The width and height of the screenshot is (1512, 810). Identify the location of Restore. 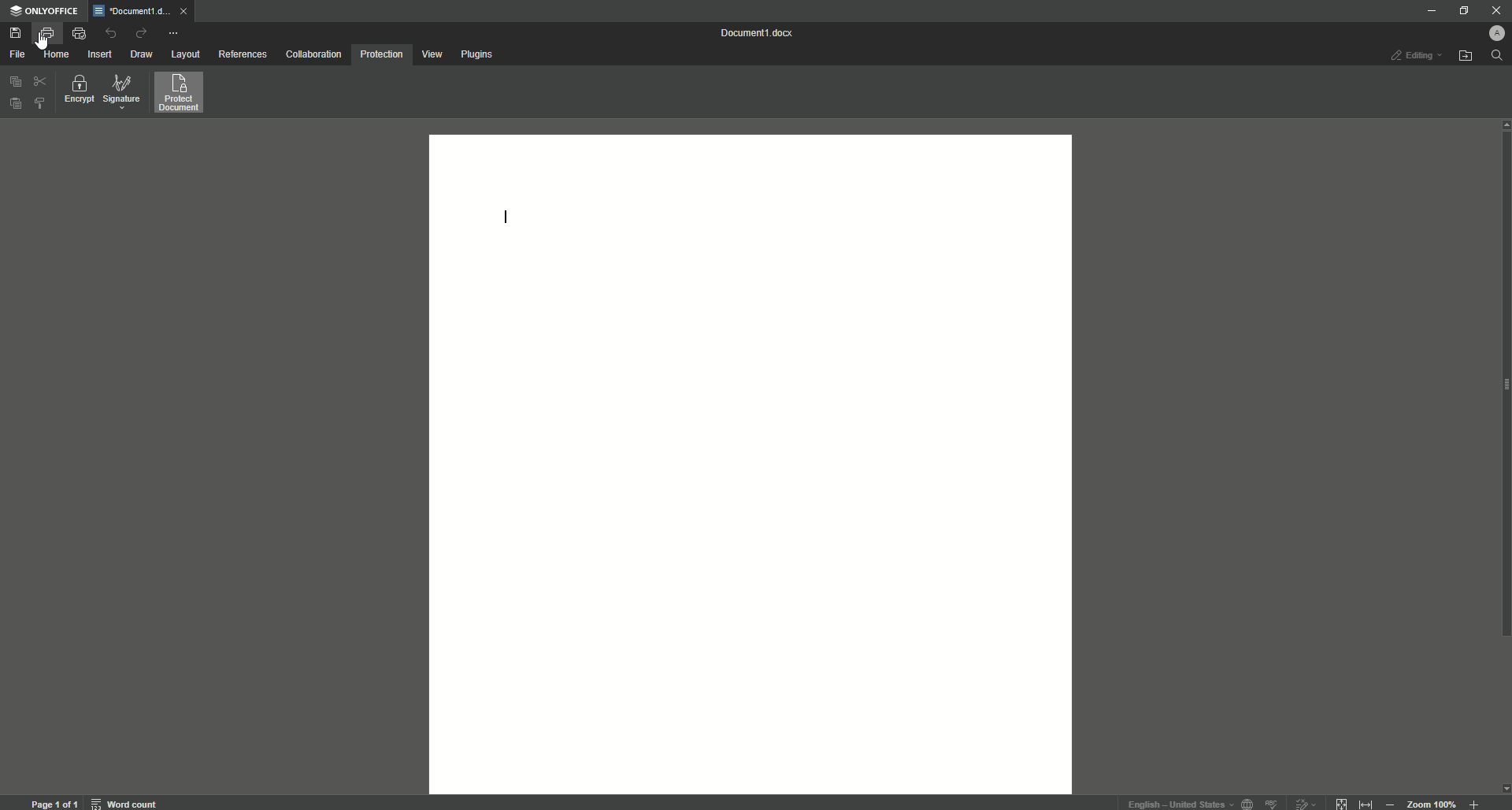
(1458, 10).